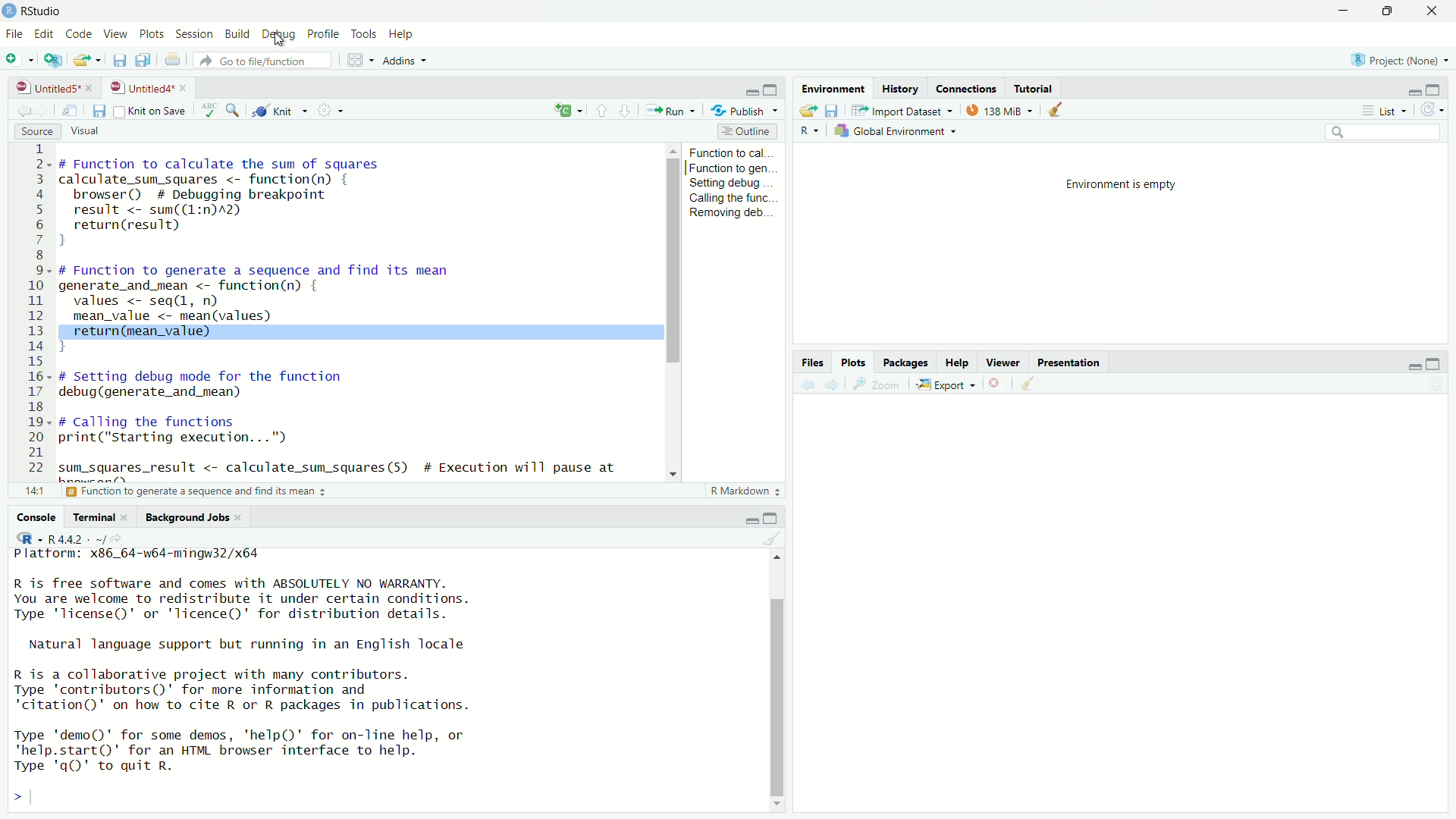 This screenshot has height=819, width=1456. What do you see at coordinates (96, 86) in the screenshot?
I see `close` at bounding box center [96, 86].